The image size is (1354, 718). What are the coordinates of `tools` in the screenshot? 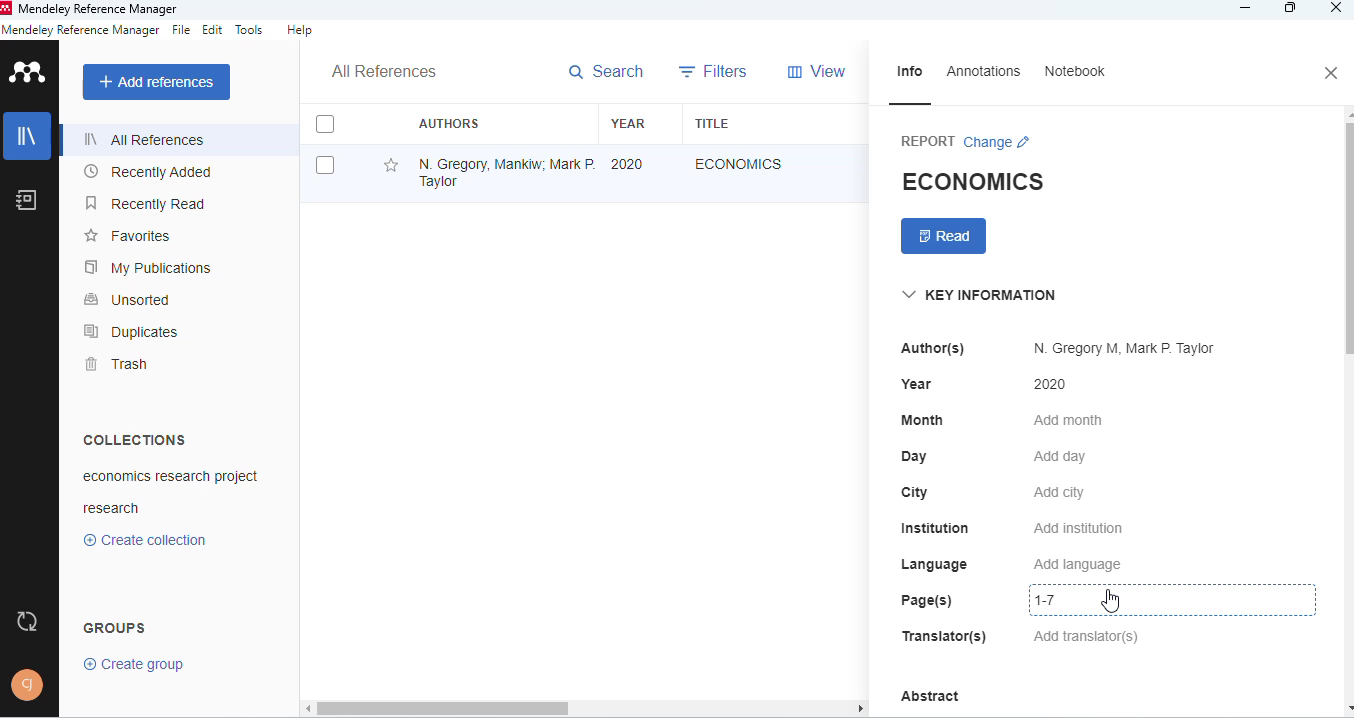 It's located at (250, 30).